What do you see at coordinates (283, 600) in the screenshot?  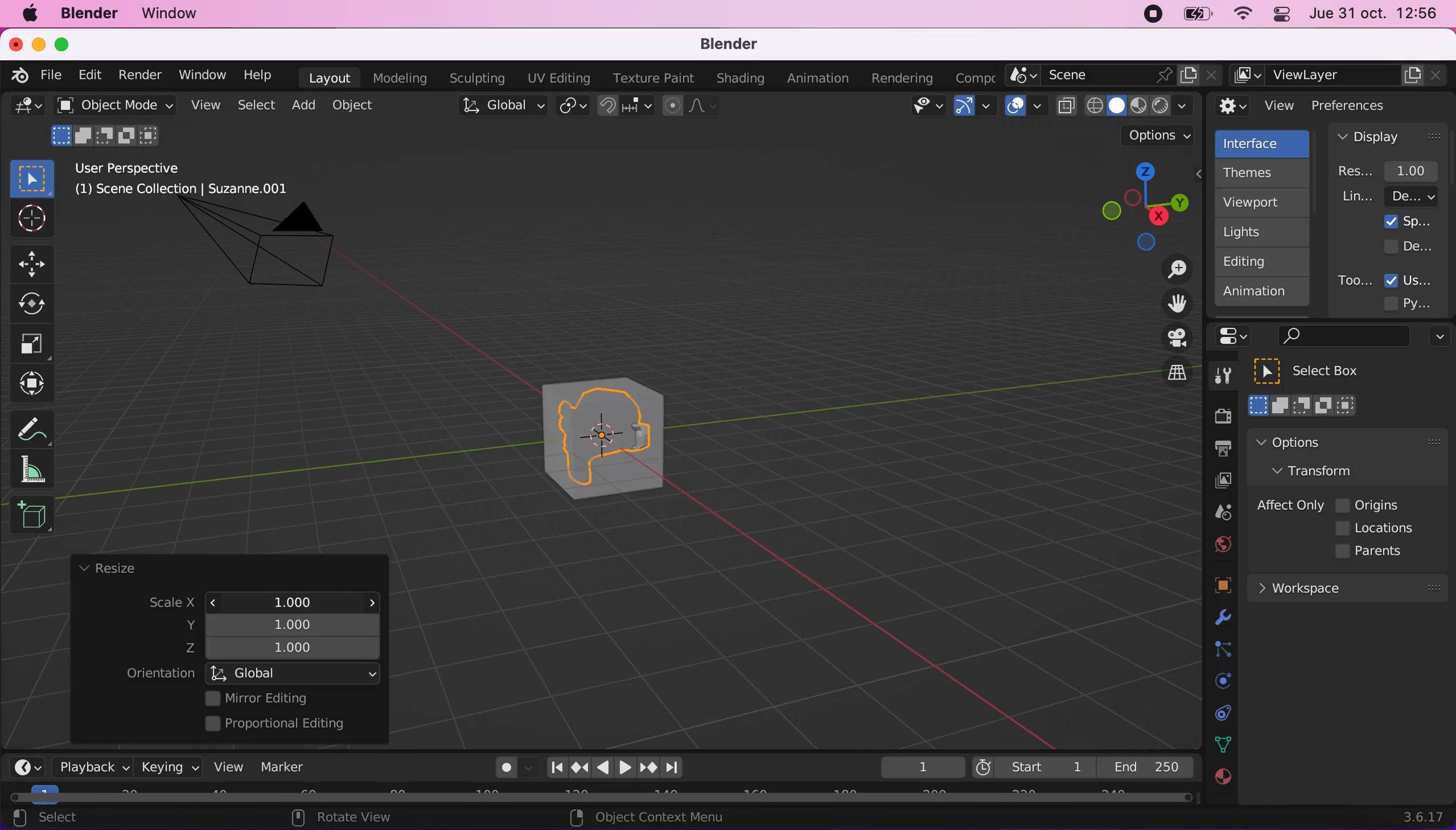 I see `x` at bounding box center [283, 600].